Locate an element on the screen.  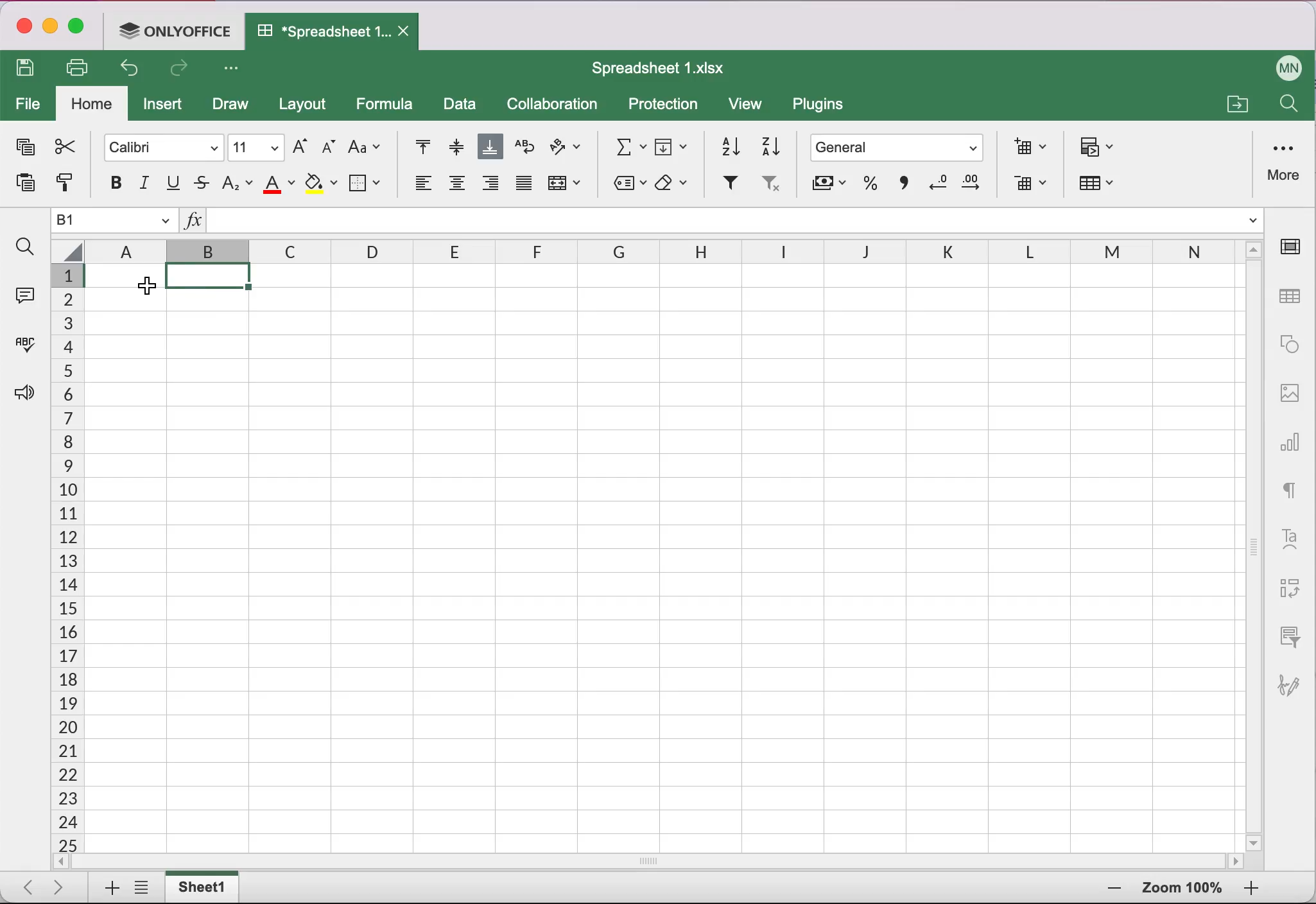
print is located at coordinates (82, 67).